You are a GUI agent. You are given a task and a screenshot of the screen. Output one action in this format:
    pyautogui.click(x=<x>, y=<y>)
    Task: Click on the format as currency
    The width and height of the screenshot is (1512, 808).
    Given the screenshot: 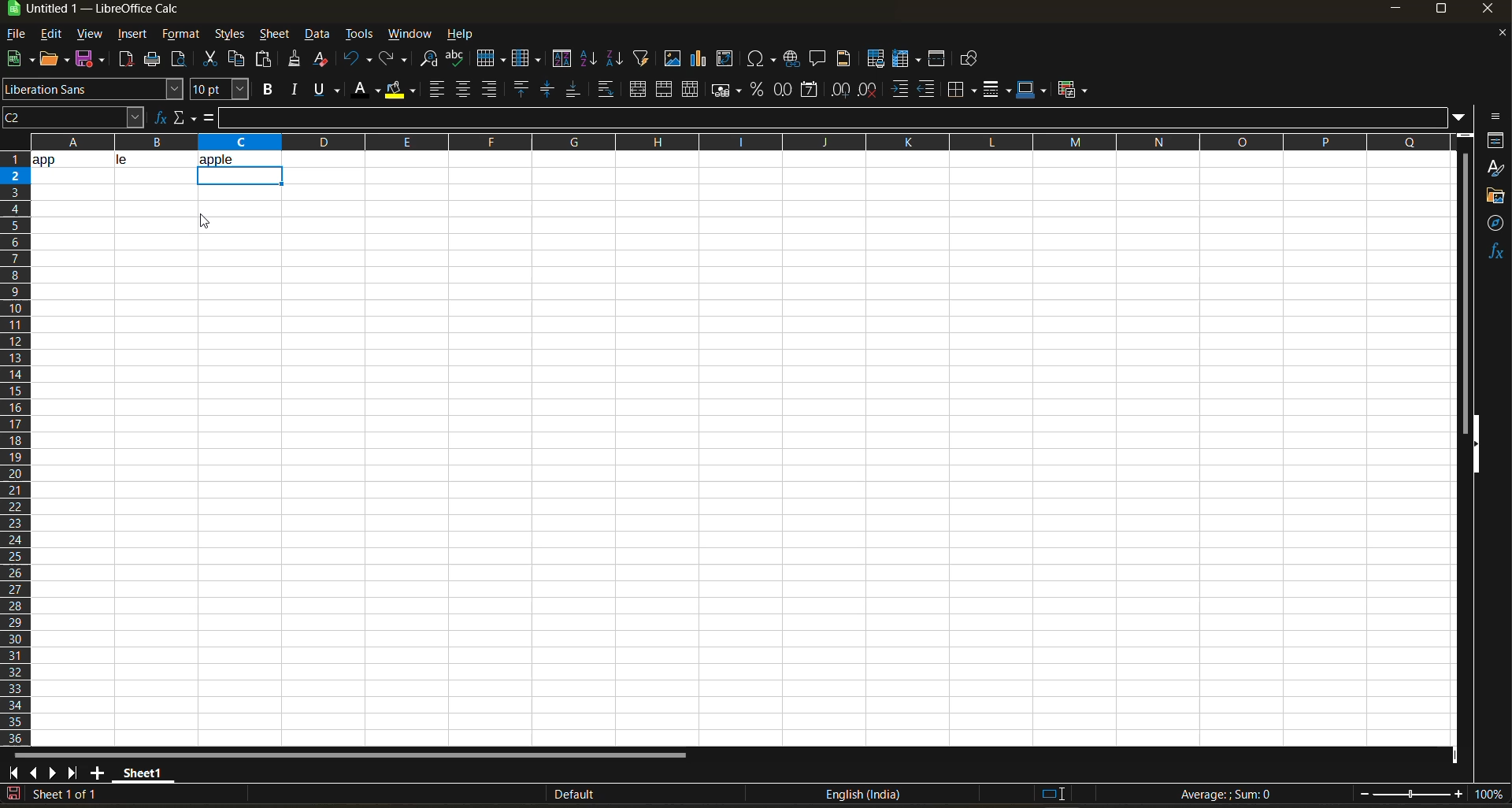 What is the action you would take?
    pyautogui.click(x=731, y=90)
    